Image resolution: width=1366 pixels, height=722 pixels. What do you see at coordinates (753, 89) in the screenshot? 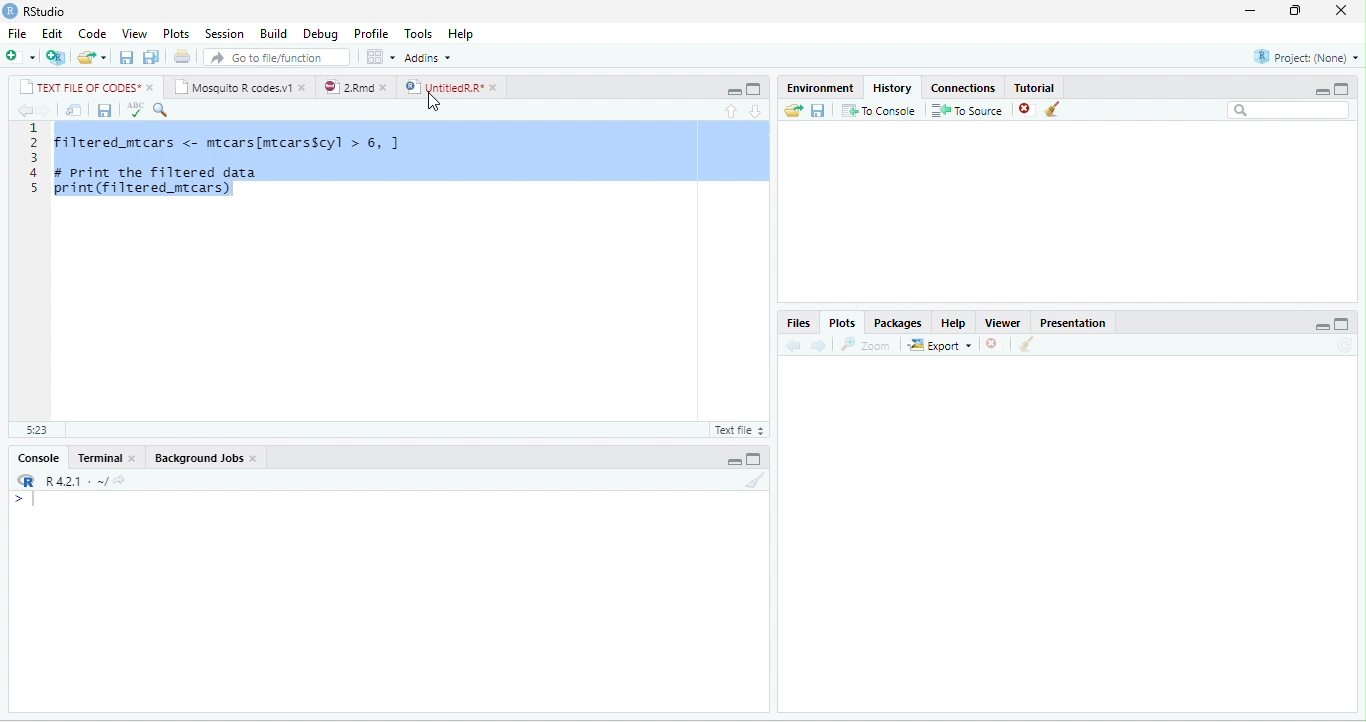
I see `maximize` at bounding box center [753, 89].